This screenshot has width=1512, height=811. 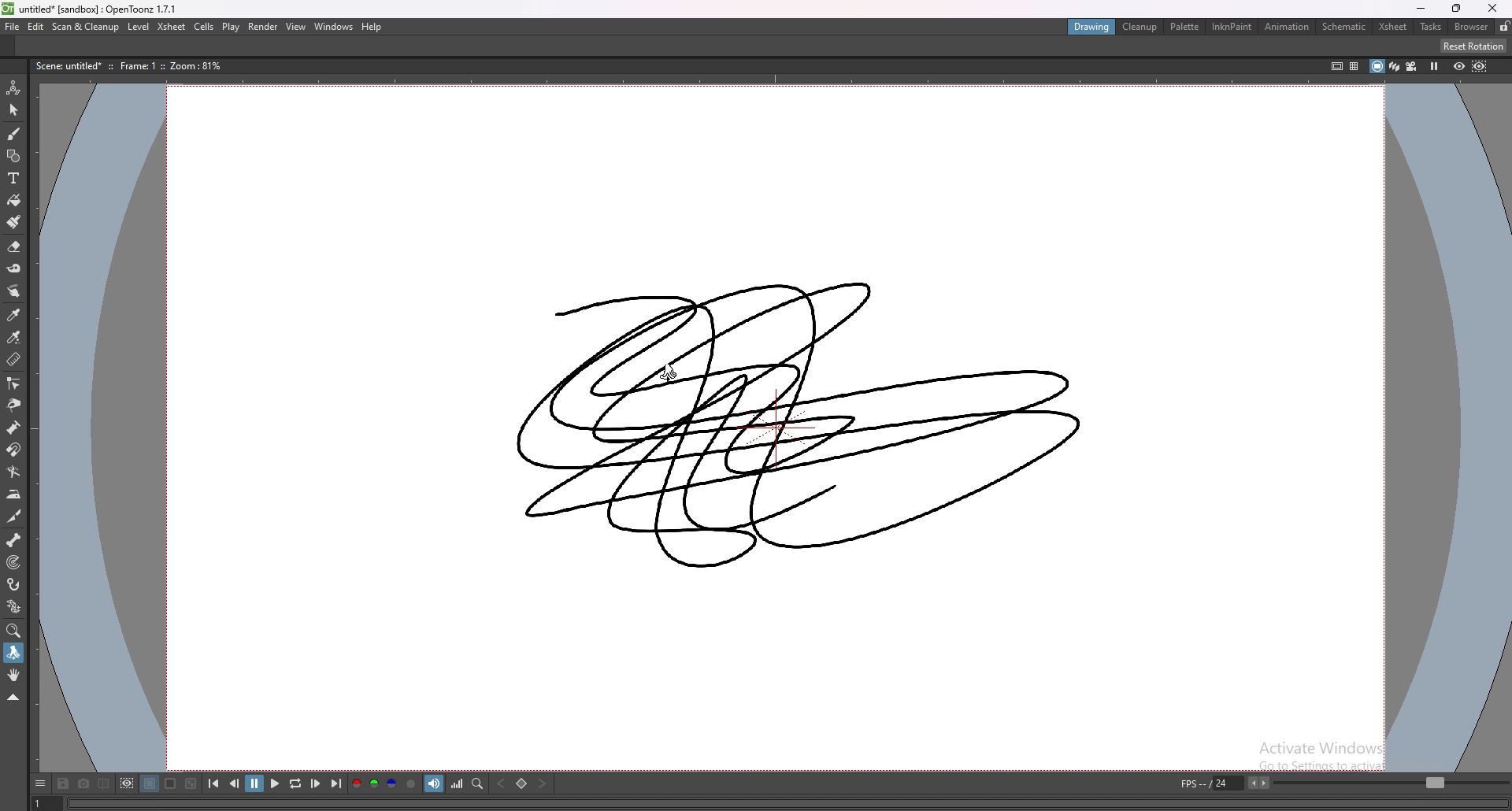 I want to click on reset rotation , so click(x=1473, y=45).